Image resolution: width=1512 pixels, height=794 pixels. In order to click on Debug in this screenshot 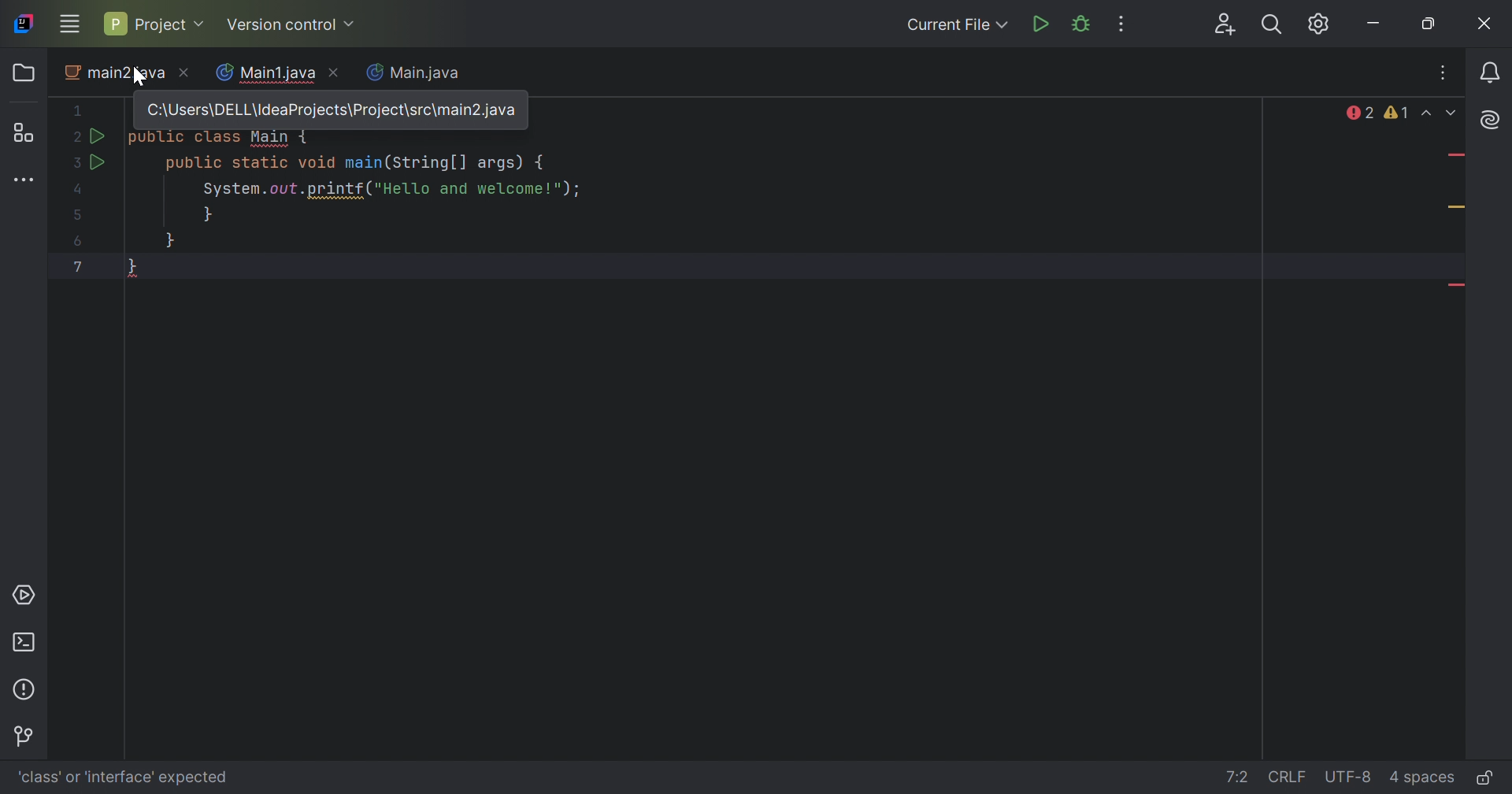, I will do `click(1082, 24)`.